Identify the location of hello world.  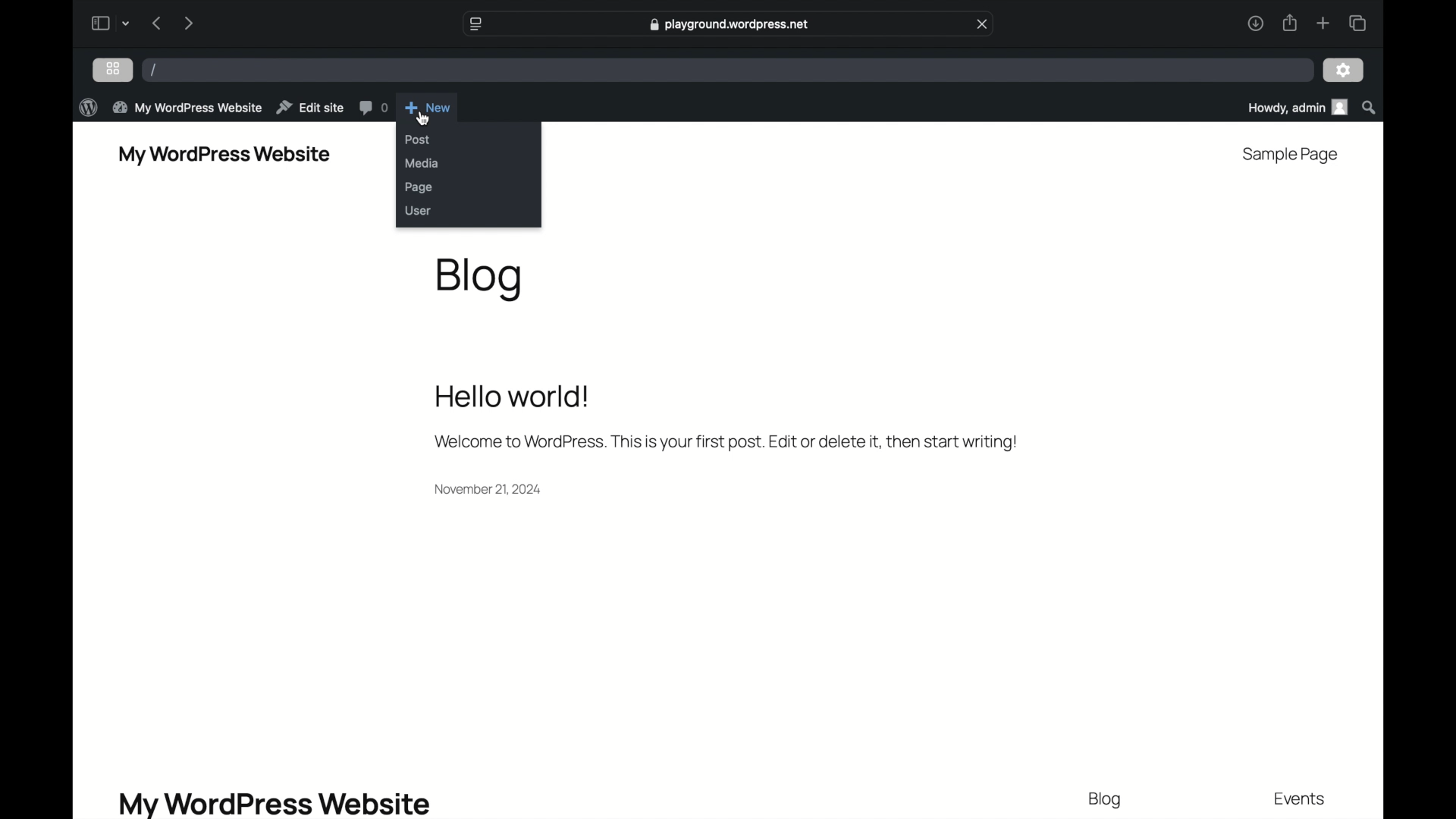
(513, 396).